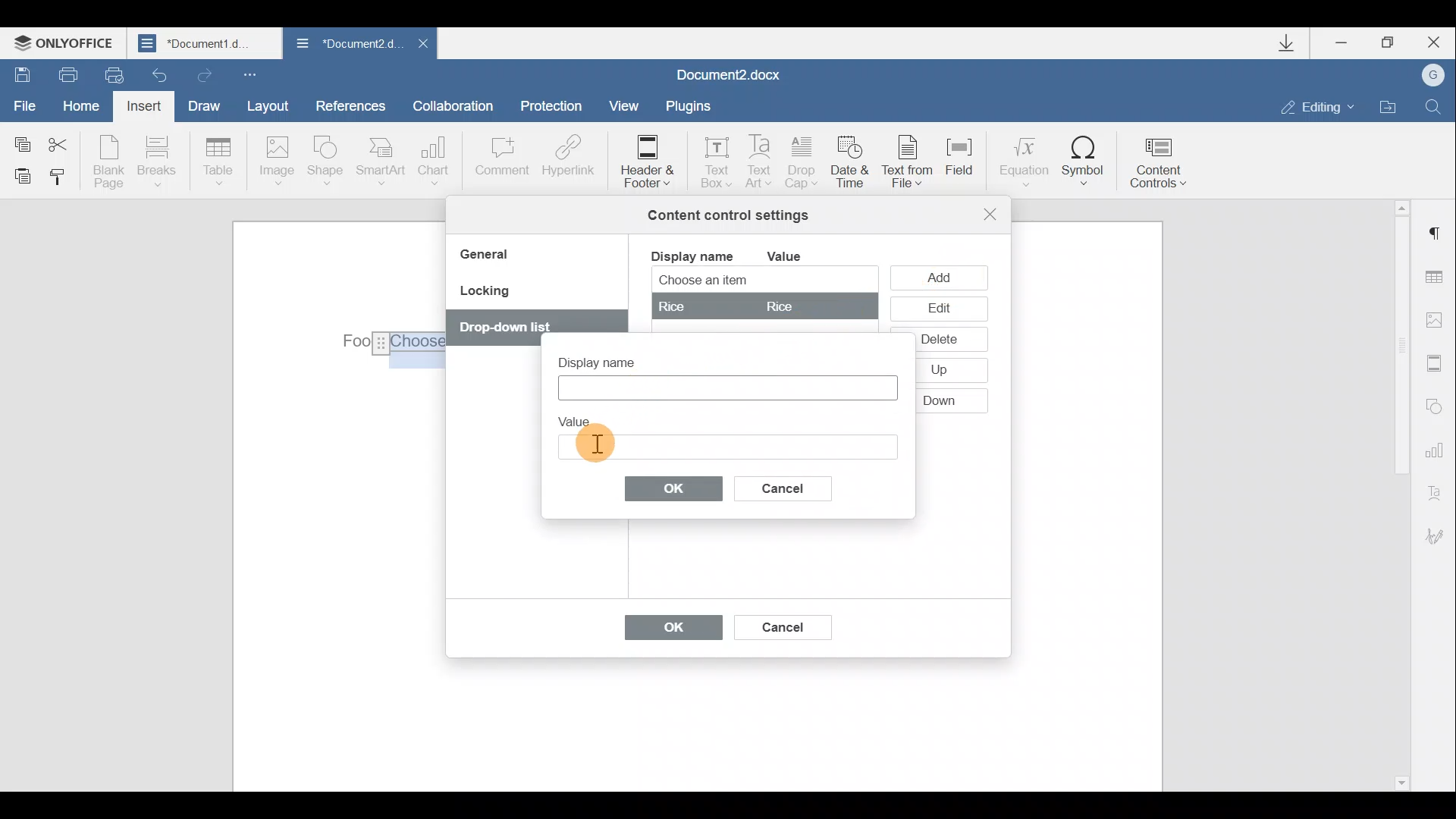 Image resolution: width=1456 pixels, height=819 pixels. Describe the element at coordinates (60, 74) in the screenshot. I see `Print file` at that location.